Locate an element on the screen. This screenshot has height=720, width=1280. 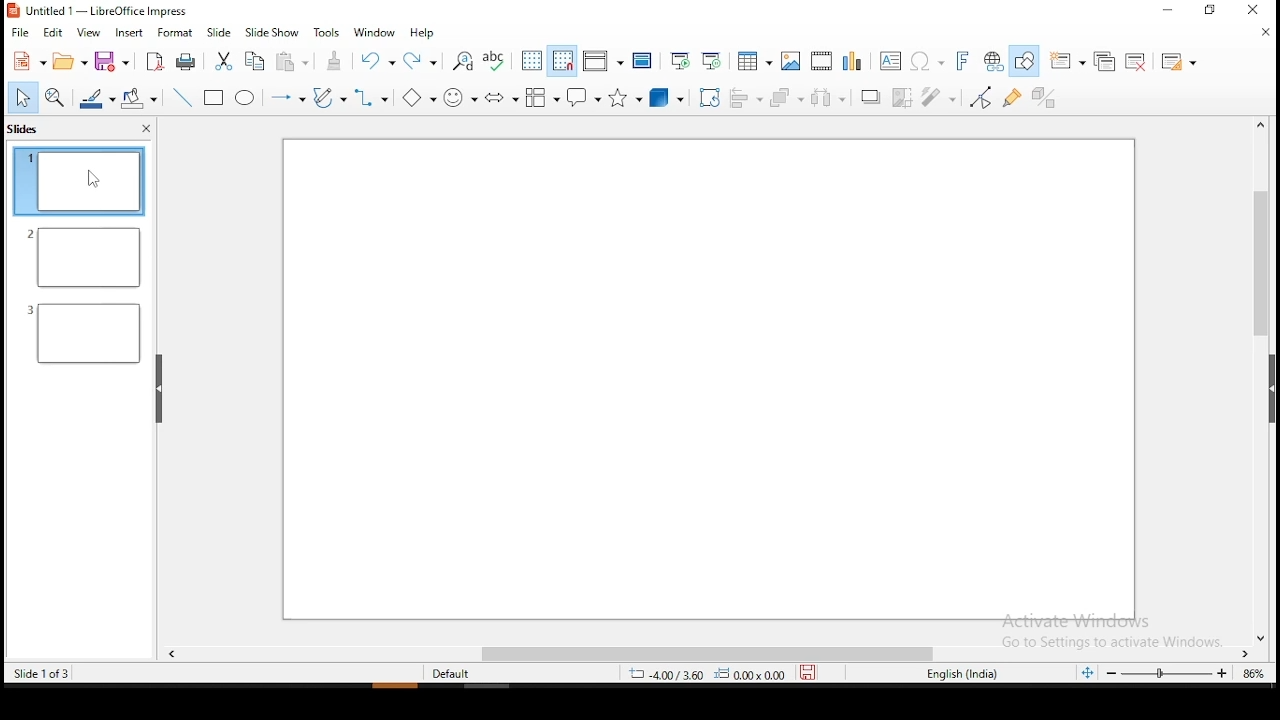
open is located at coordinates (70, 59).